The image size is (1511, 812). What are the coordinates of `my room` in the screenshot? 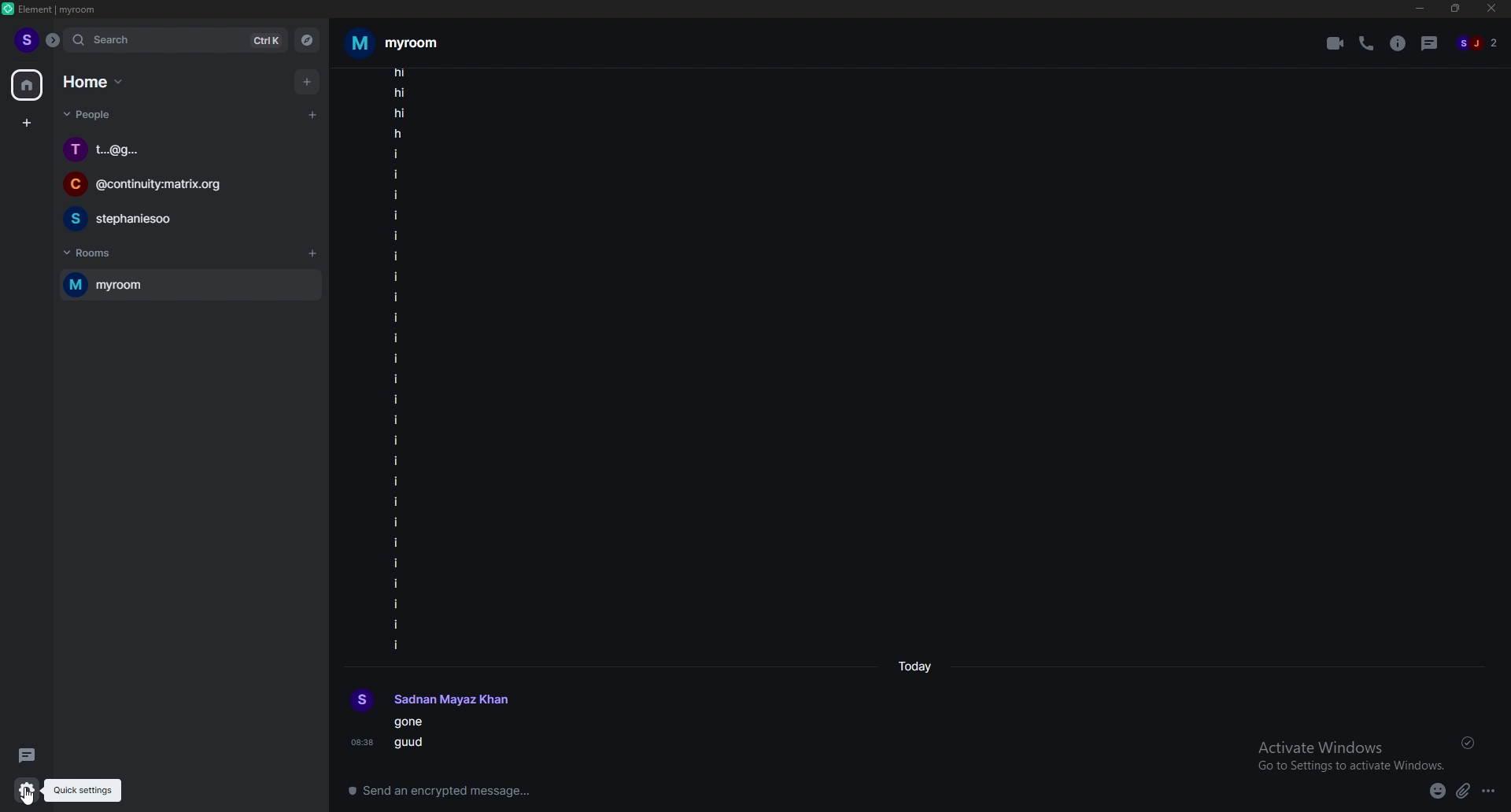 It's located at (397, 41).